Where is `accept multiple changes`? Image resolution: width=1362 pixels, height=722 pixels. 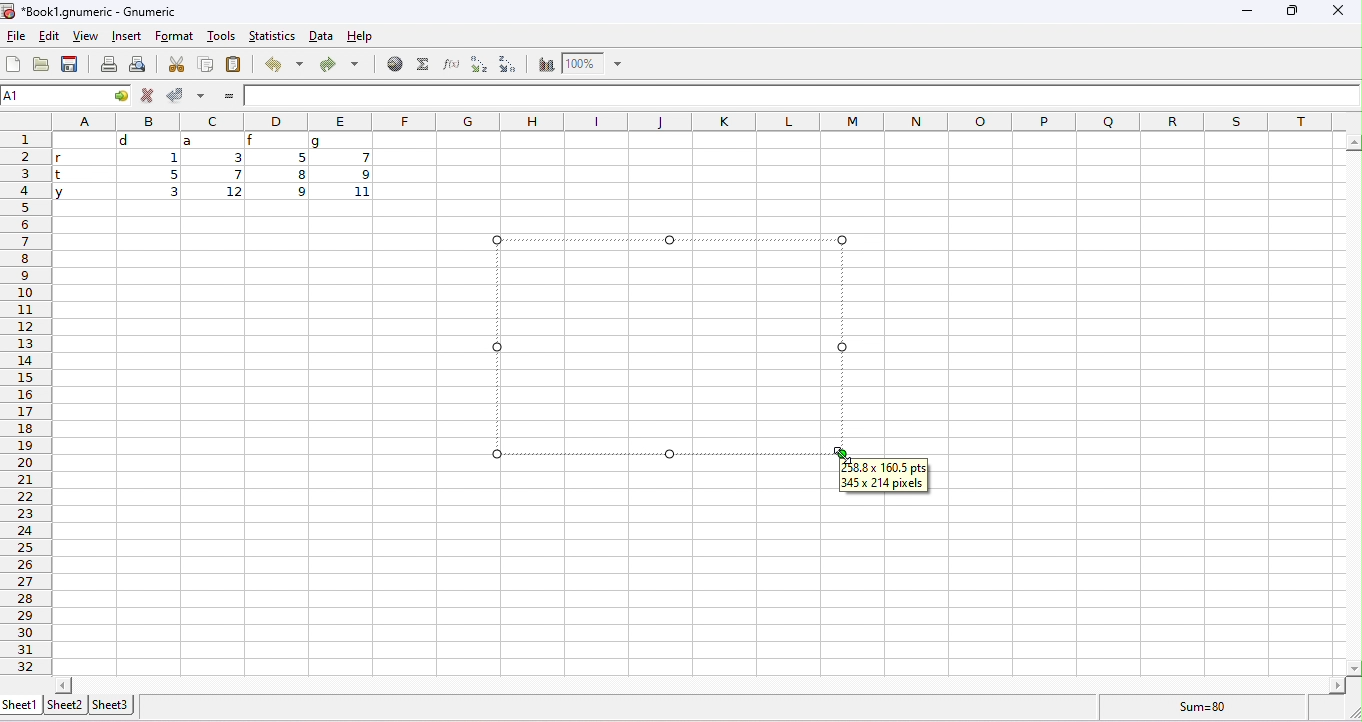
accept multiple changes is located at coordinates (202, 95).